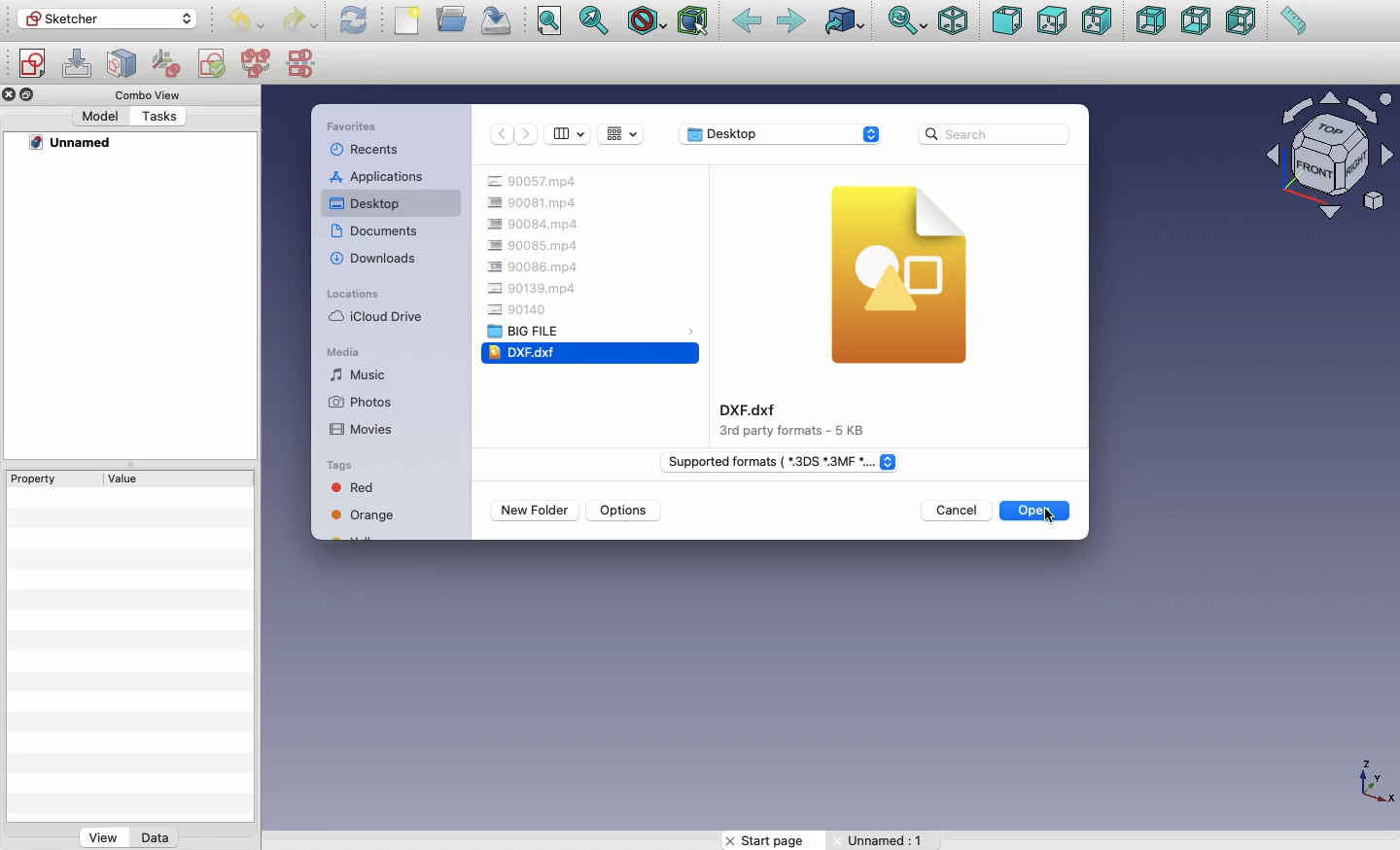  What do you see at coordinates (365, 126) in the screenshot?
I see `Favorites` at bounding box center [365, 126].